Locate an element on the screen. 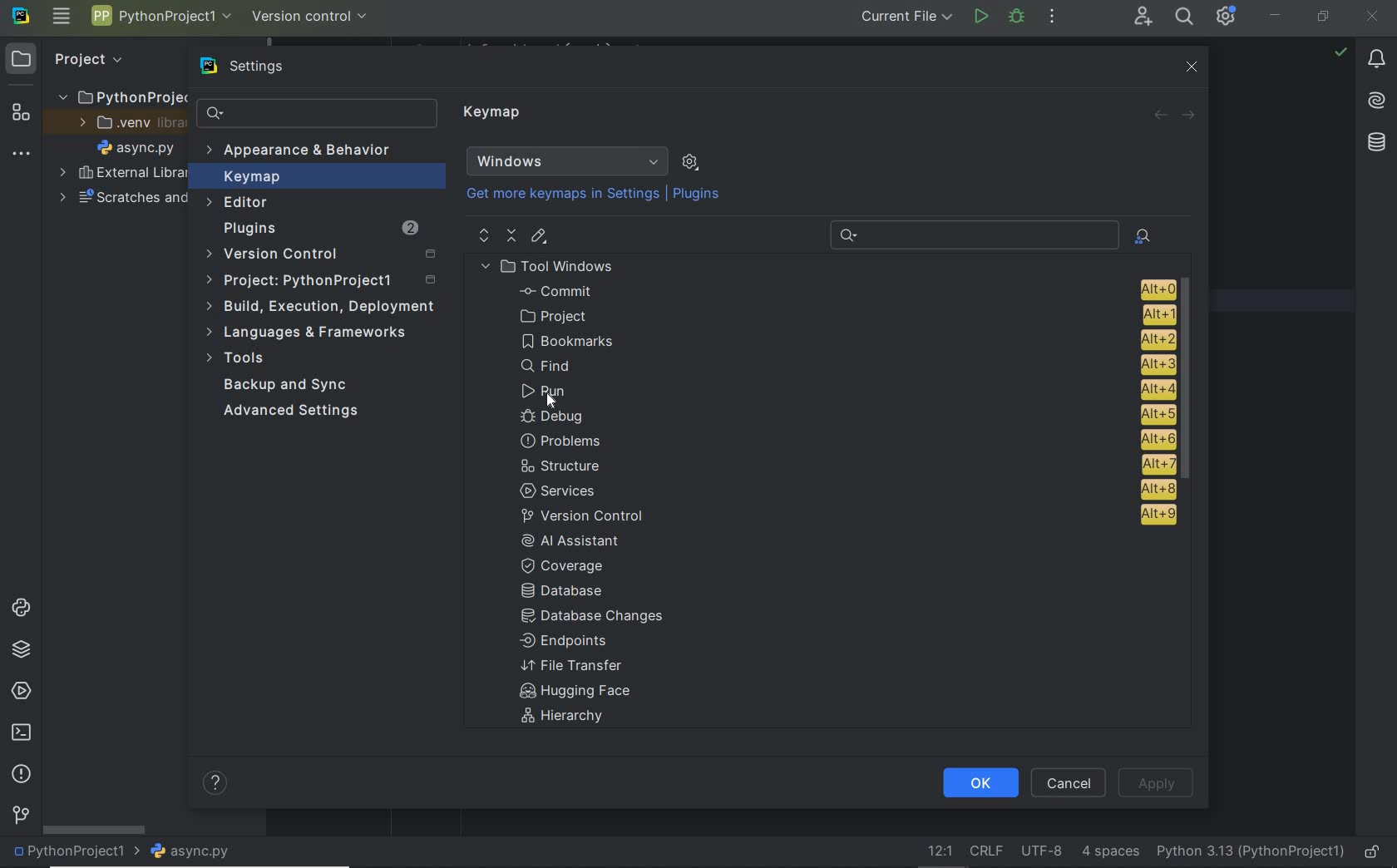 The image size is (1397, 868). Database changes is located at coordinates (594, 618).